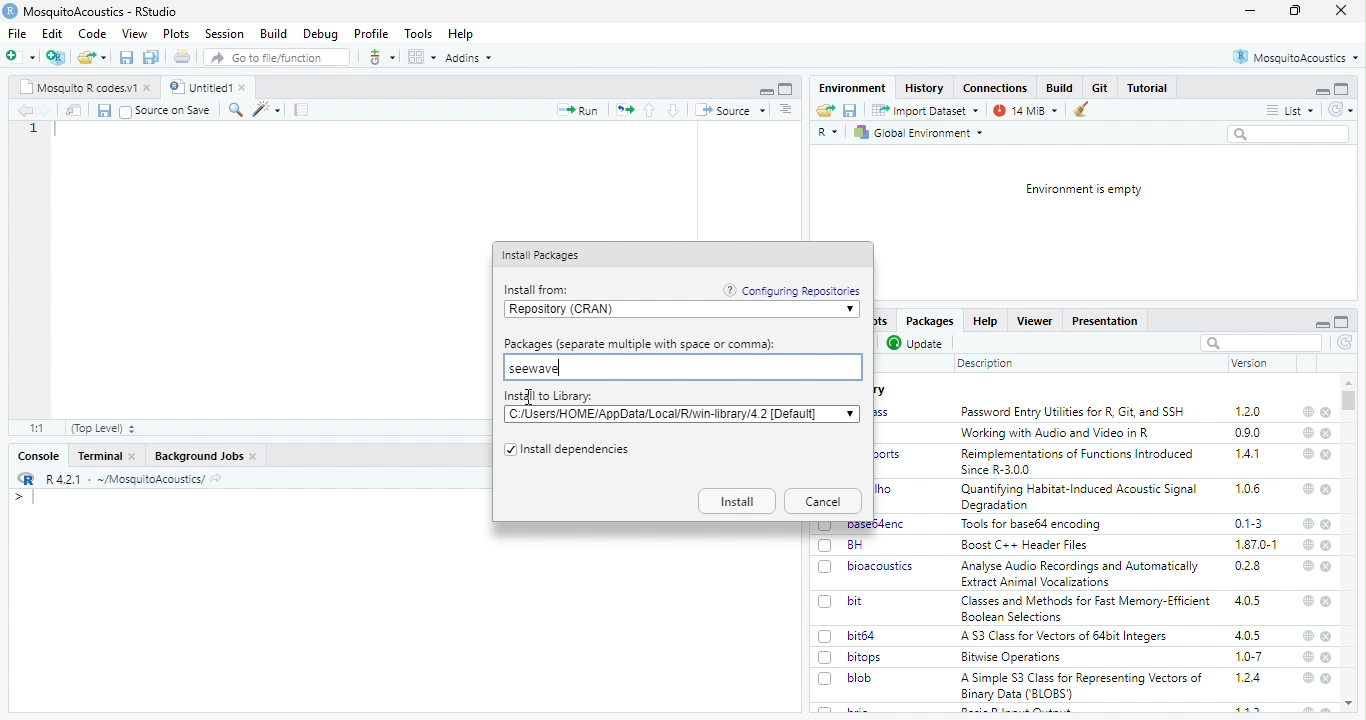  What do you see at coordinates (1309, 412) in the screenshot?
I see `web` at bounding box center [1309, 412].